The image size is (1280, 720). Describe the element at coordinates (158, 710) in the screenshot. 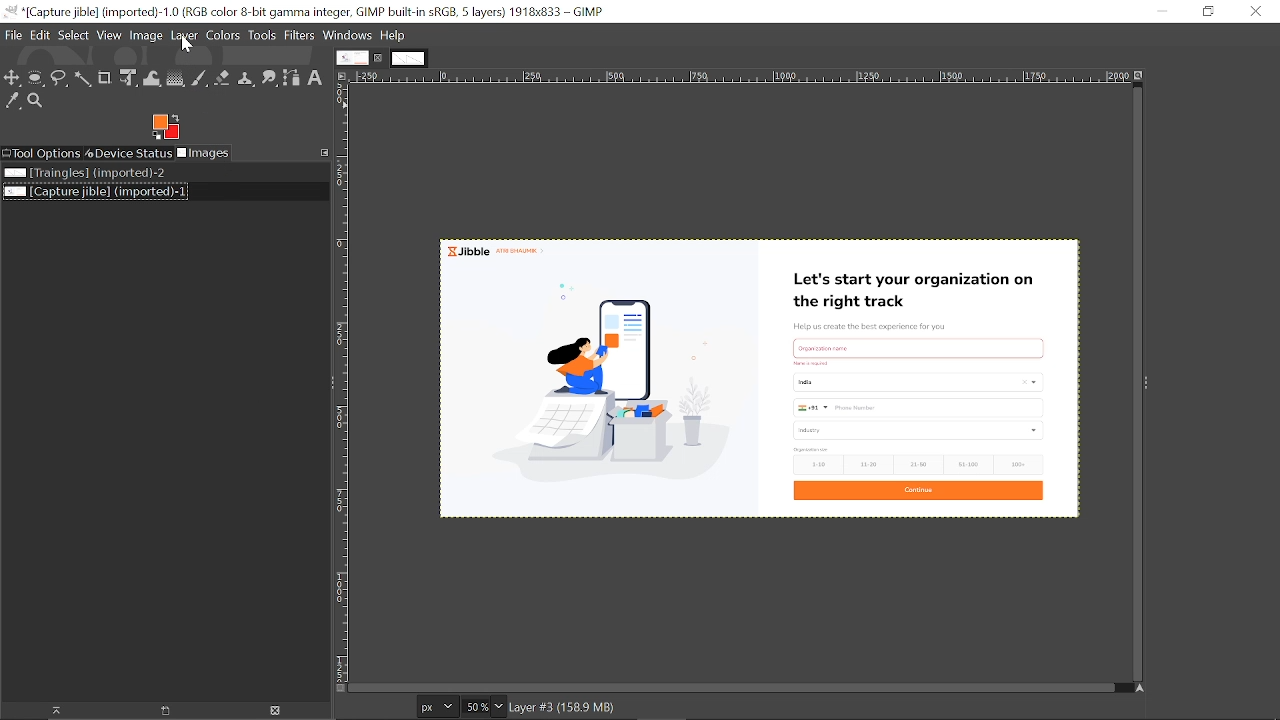

I see `Open new display for the image` at that location.